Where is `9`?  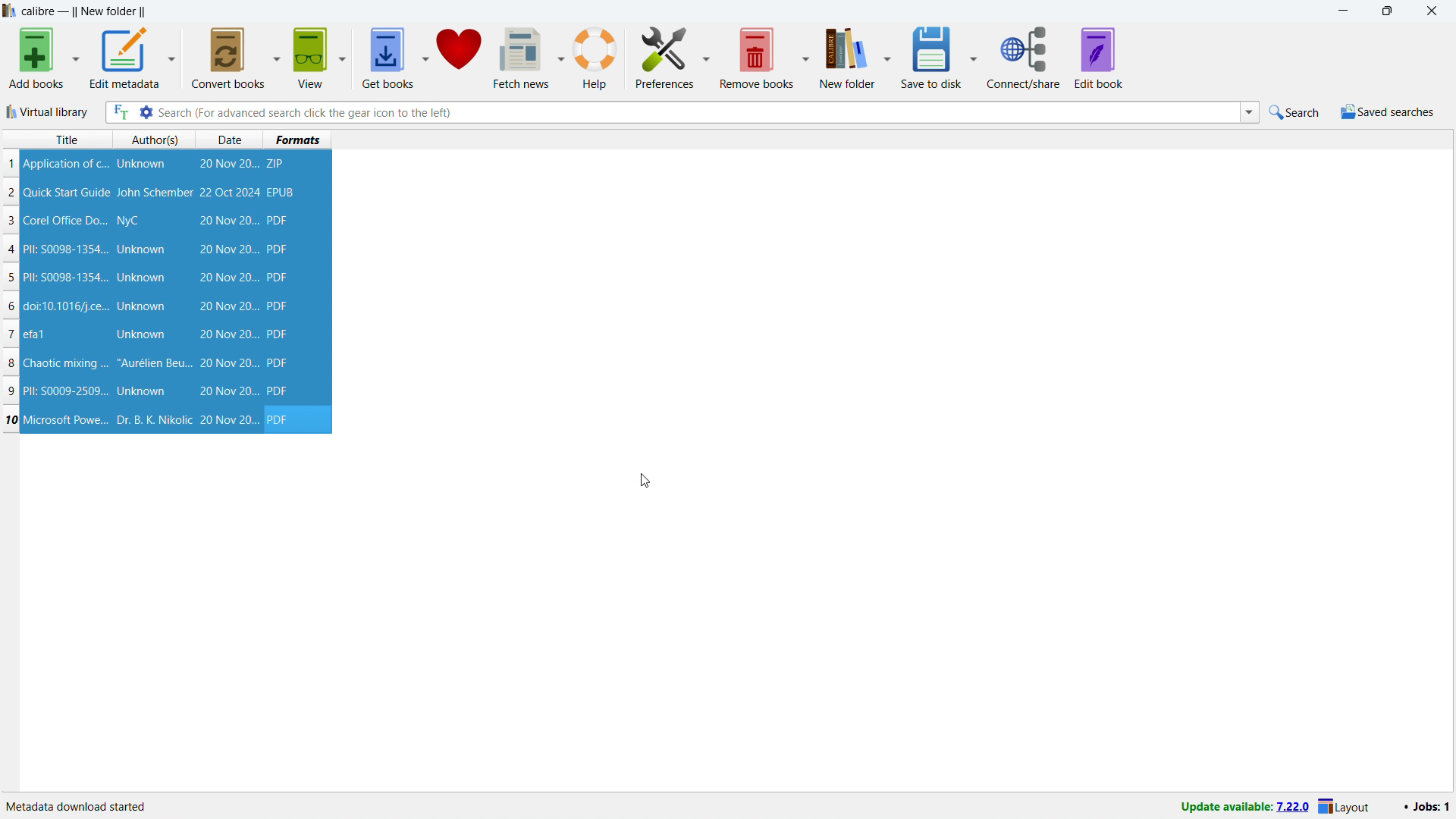
9 is located at coordinates (14, 391).